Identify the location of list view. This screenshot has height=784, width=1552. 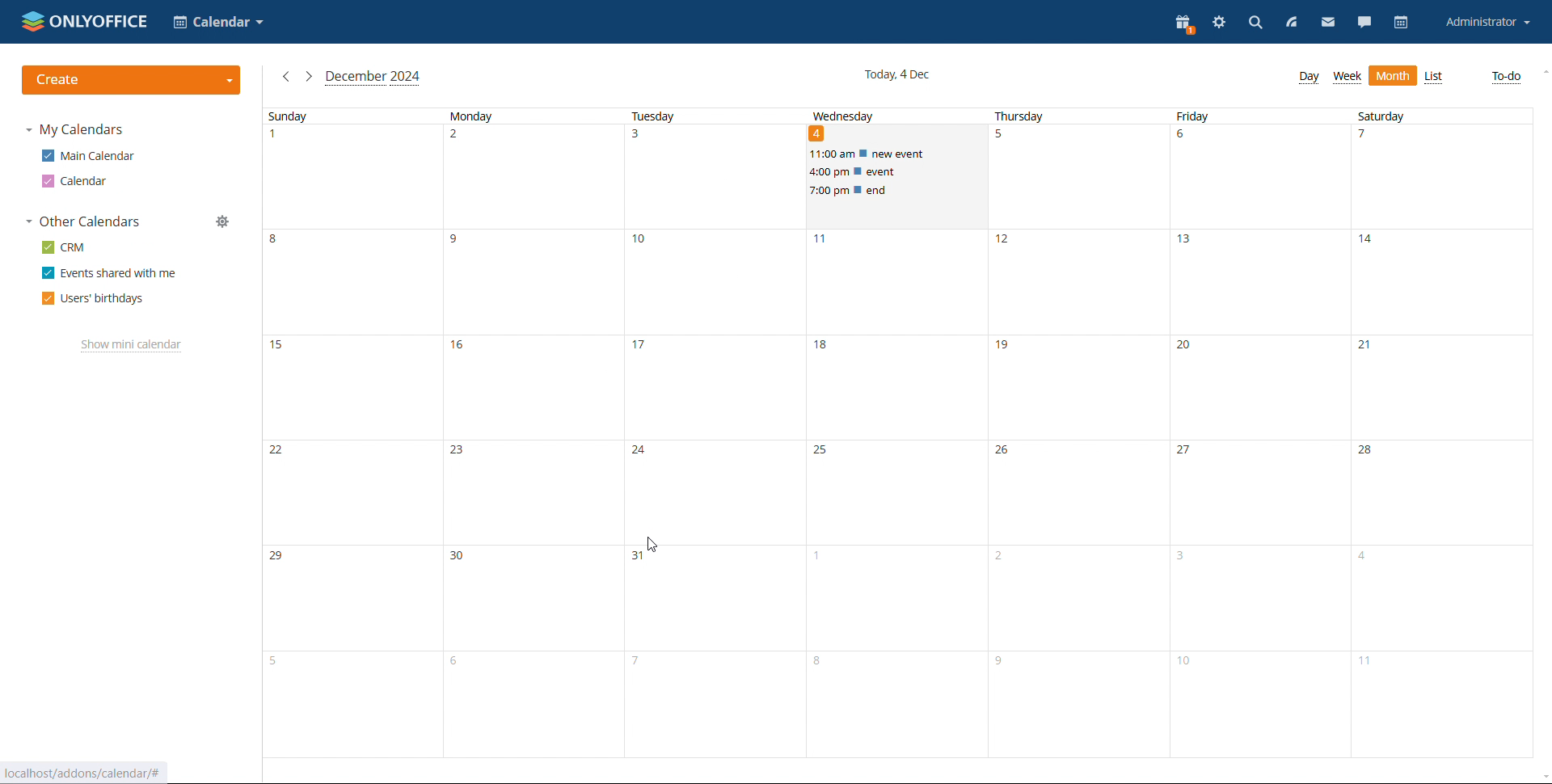
(1435, 78).